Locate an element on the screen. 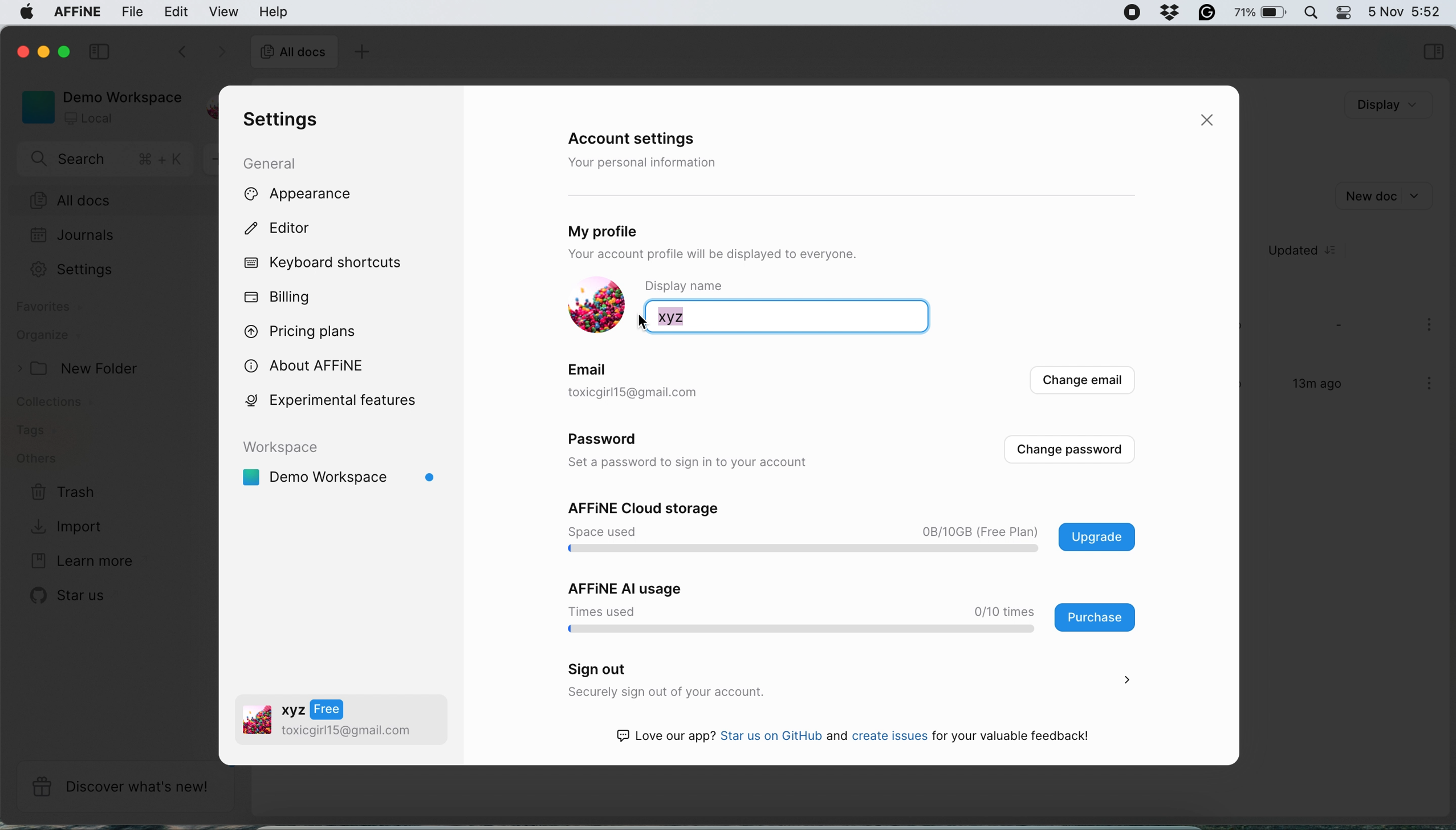 This screenshot has width=1456, height=830. grammarly is located at coordinates (1166, 11).